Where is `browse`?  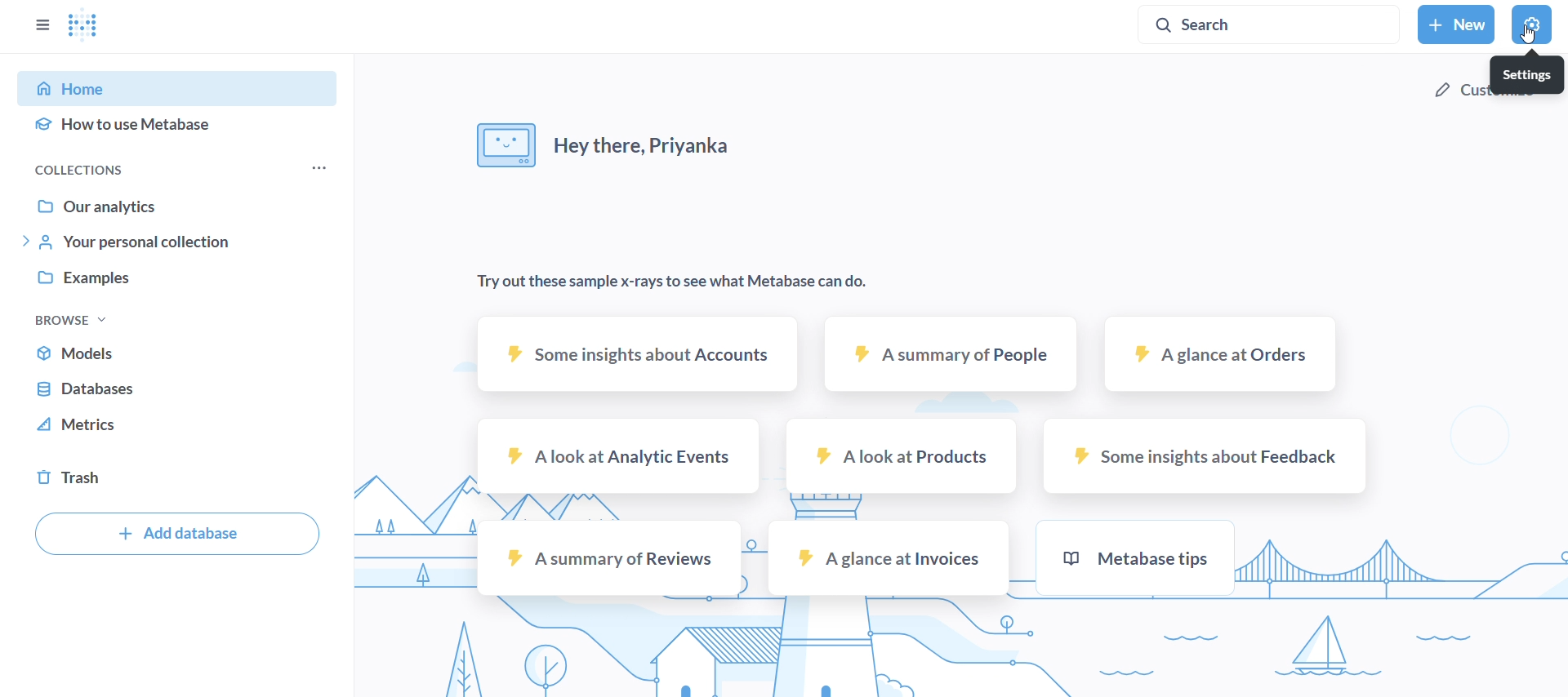
browse is located at coordinates (95, 321).